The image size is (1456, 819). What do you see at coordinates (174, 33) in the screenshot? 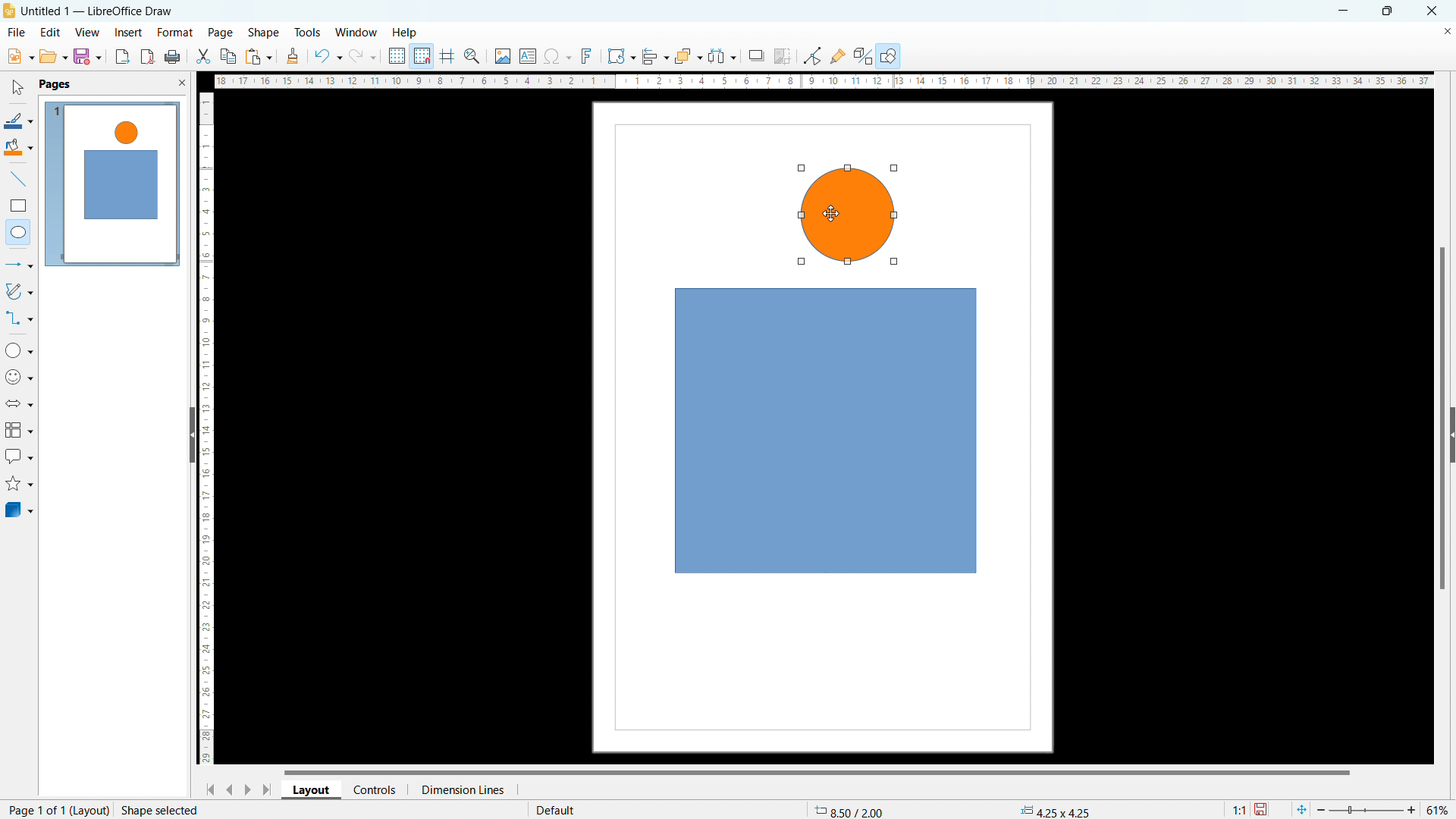
I see `format` at bounding box center [174, 33].